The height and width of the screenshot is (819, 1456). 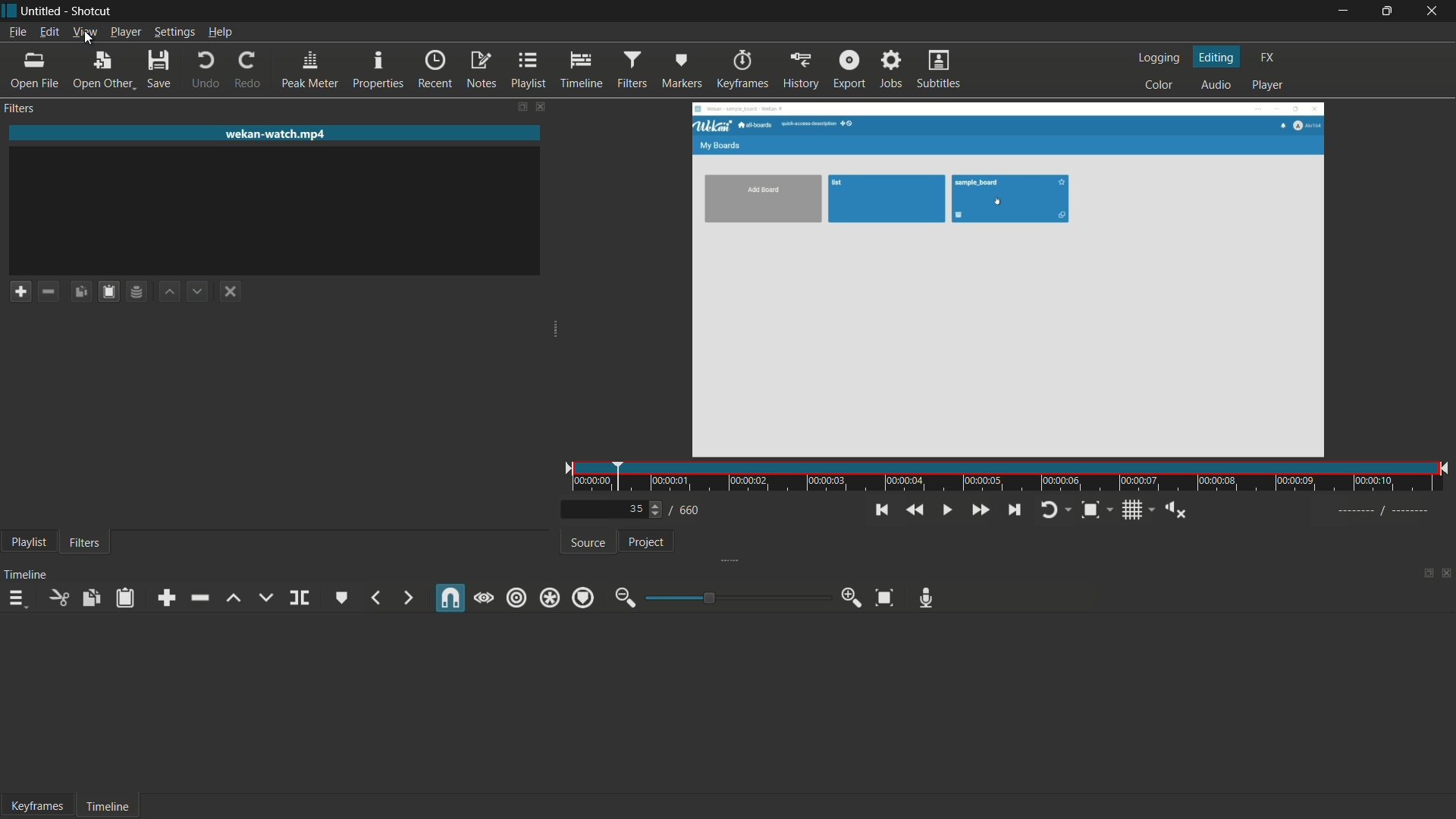 What do you see at coordinates (89, 544) in the screenshot?
I see `filters` at bounding box center [89, 544].